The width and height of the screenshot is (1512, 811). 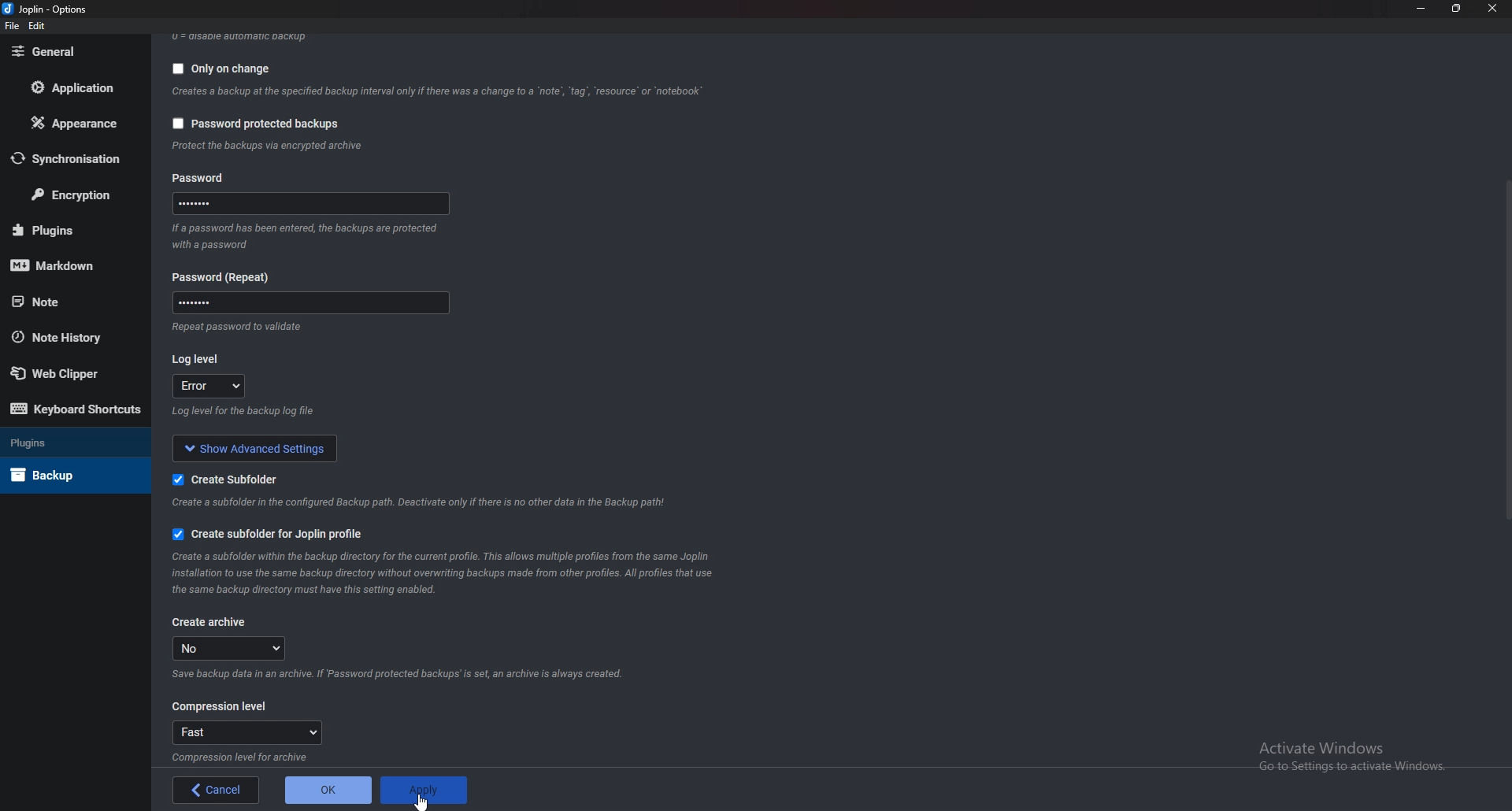 What do you see at coordinates (58, 475) in the screenshot?
I see `Back up` at bounding box center [58, 475].